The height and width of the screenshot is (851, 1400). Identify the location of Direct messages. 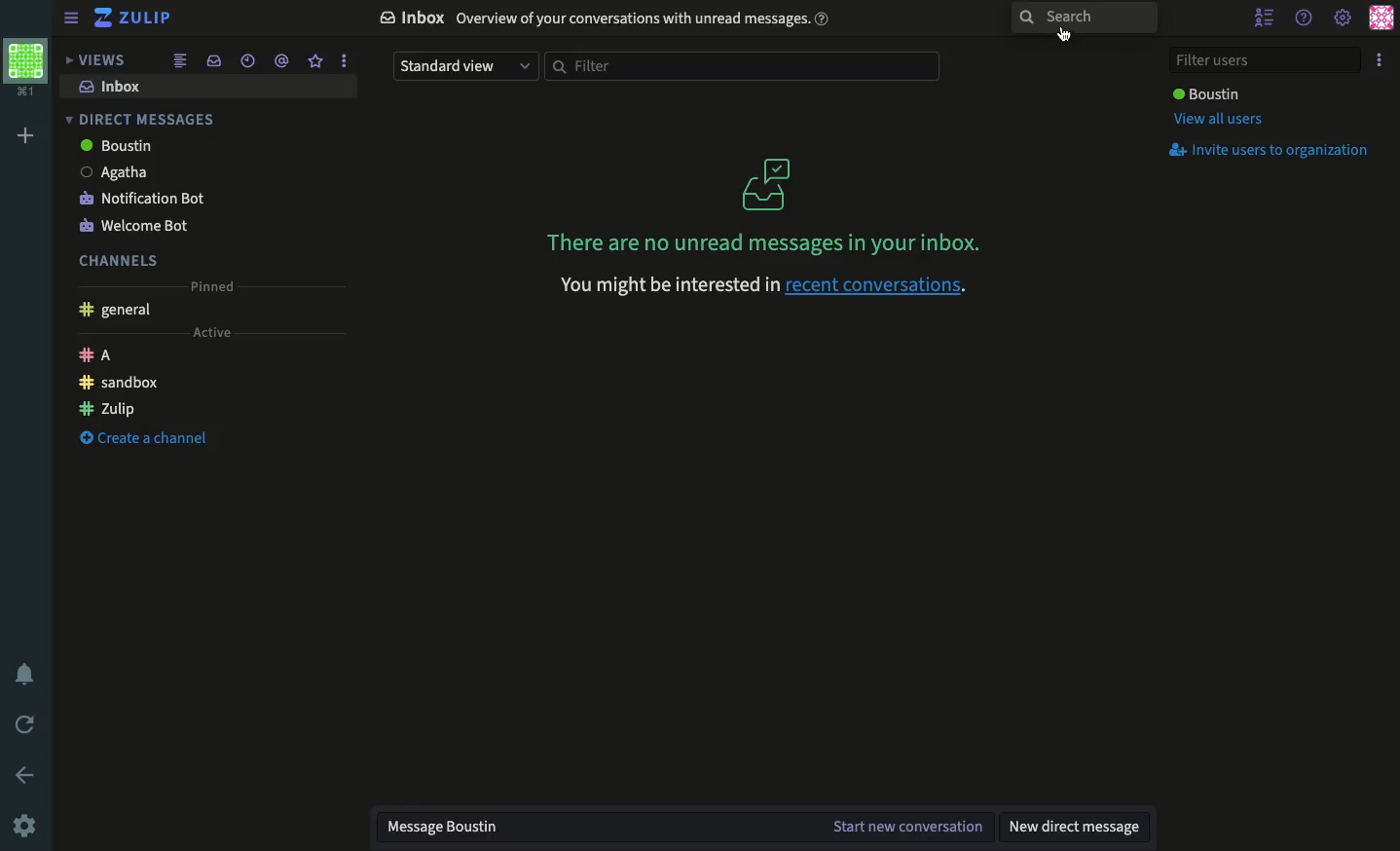
(142, 121).